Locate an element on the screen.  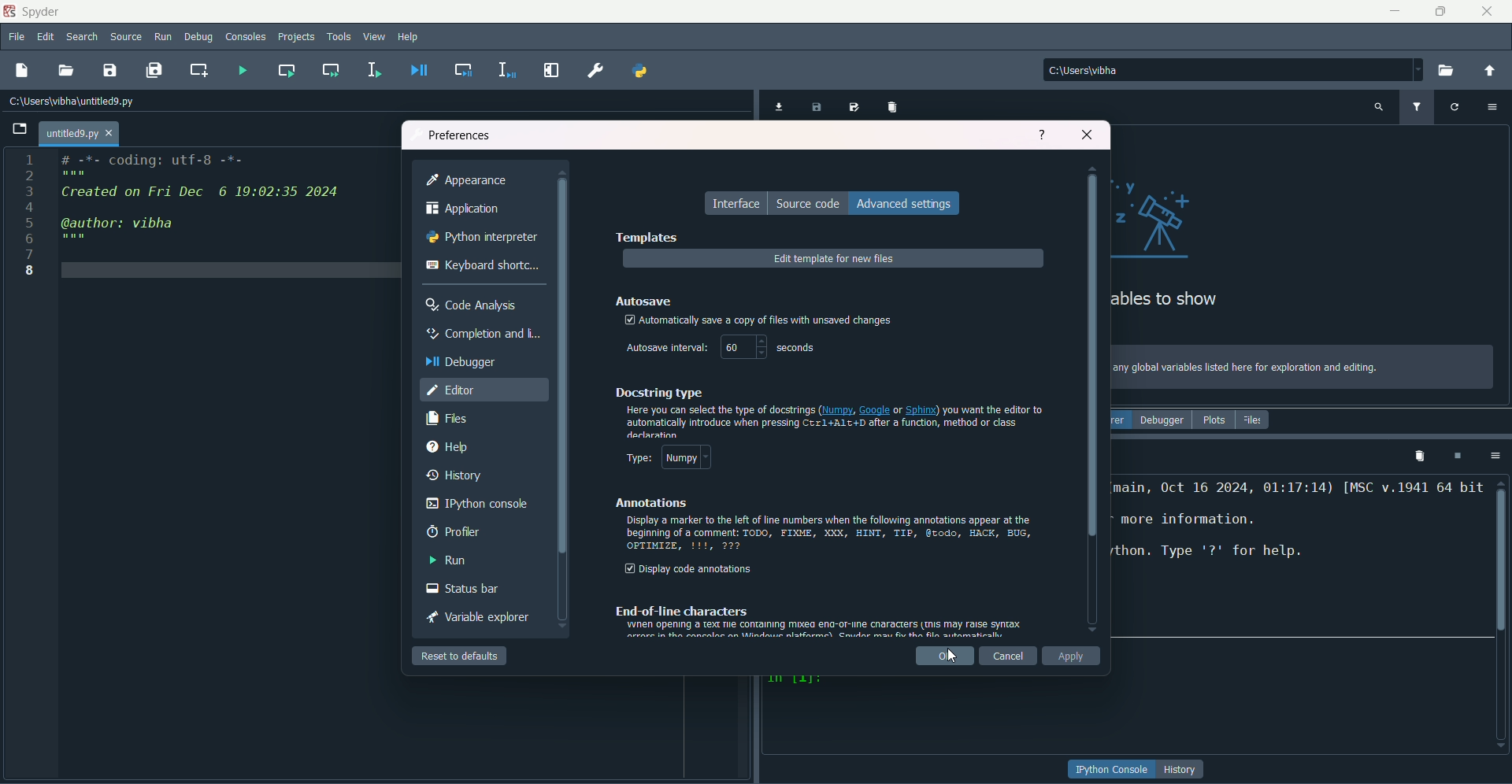
tools is located at coordinates (343, 39).